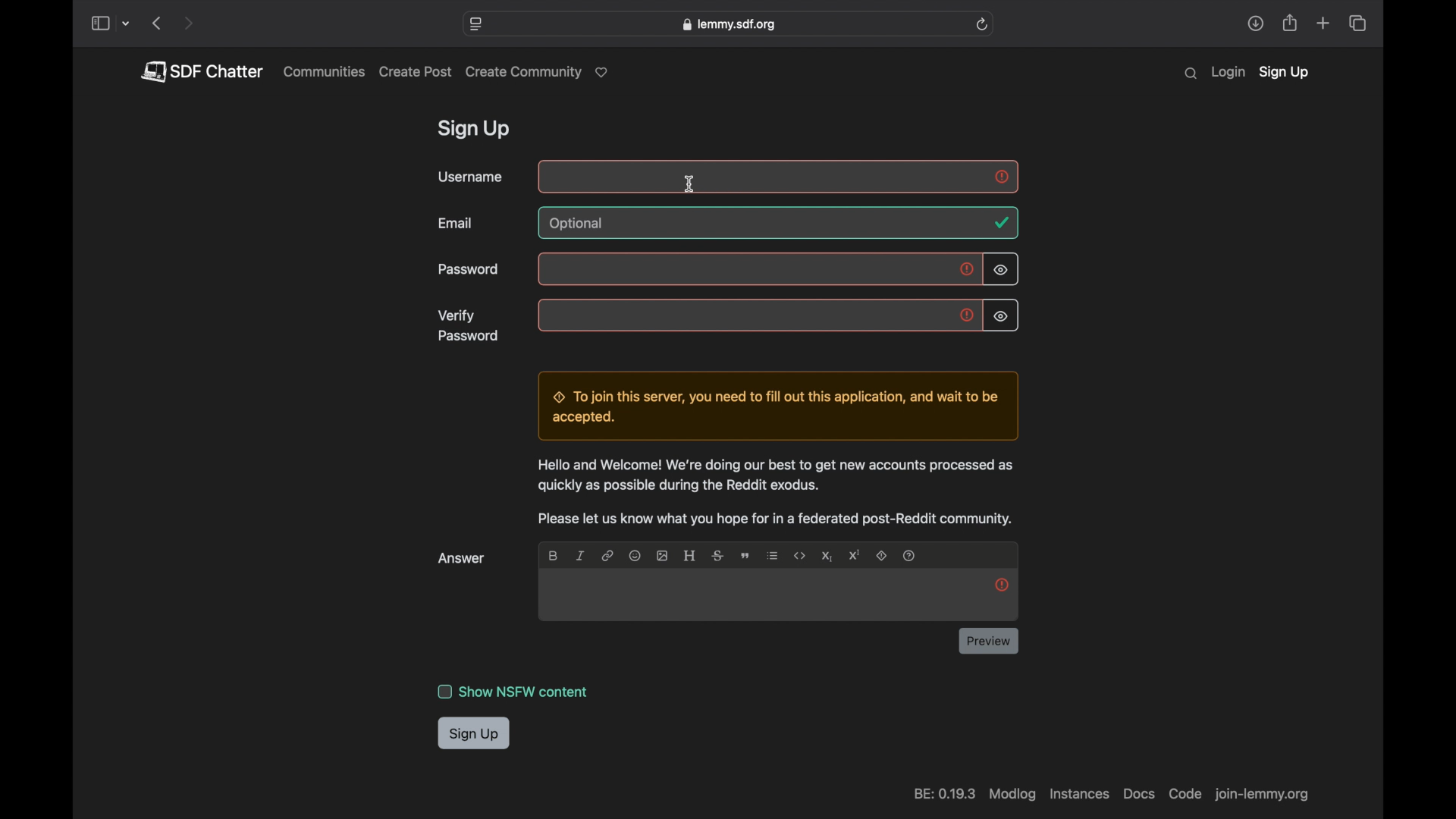 This screenshot has width=1456, height=819. Describe the element at coordinates (989, 641) in the screenshot. I see `preview` at that location.